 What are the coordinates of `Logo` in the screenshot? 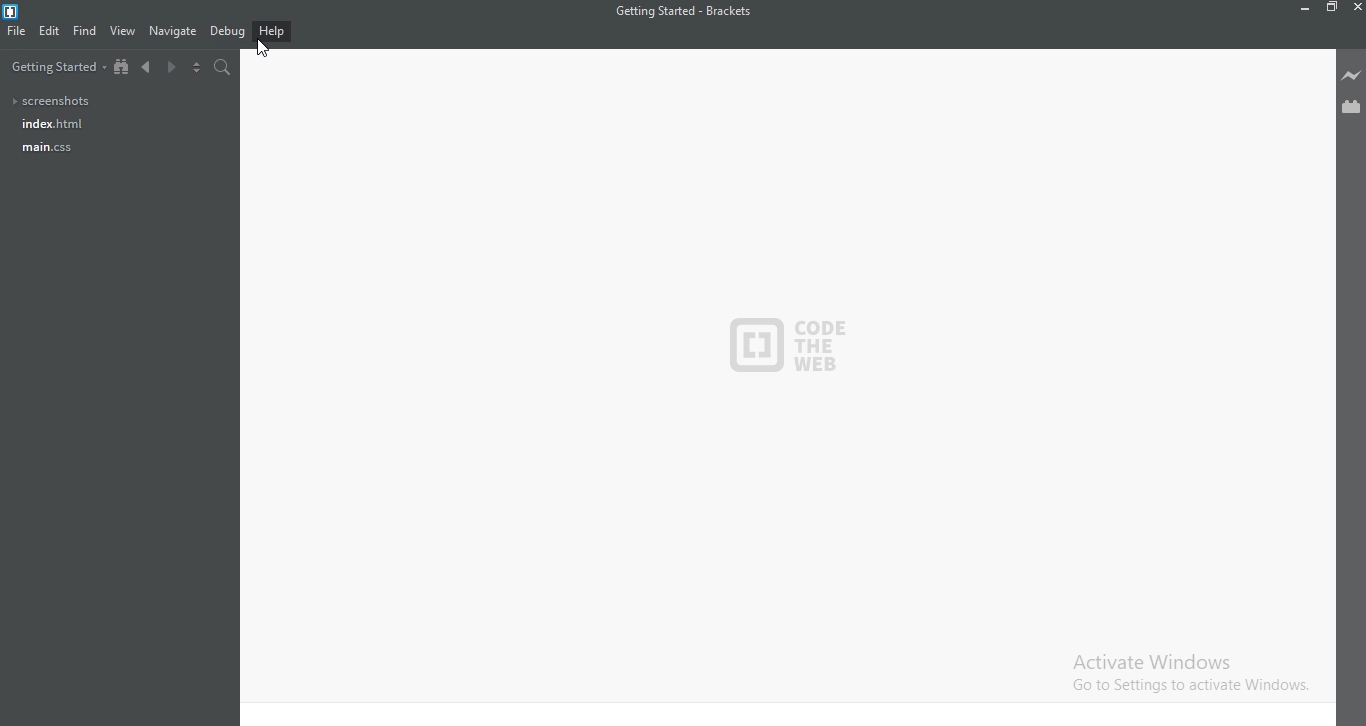 It's located at (15, 12).